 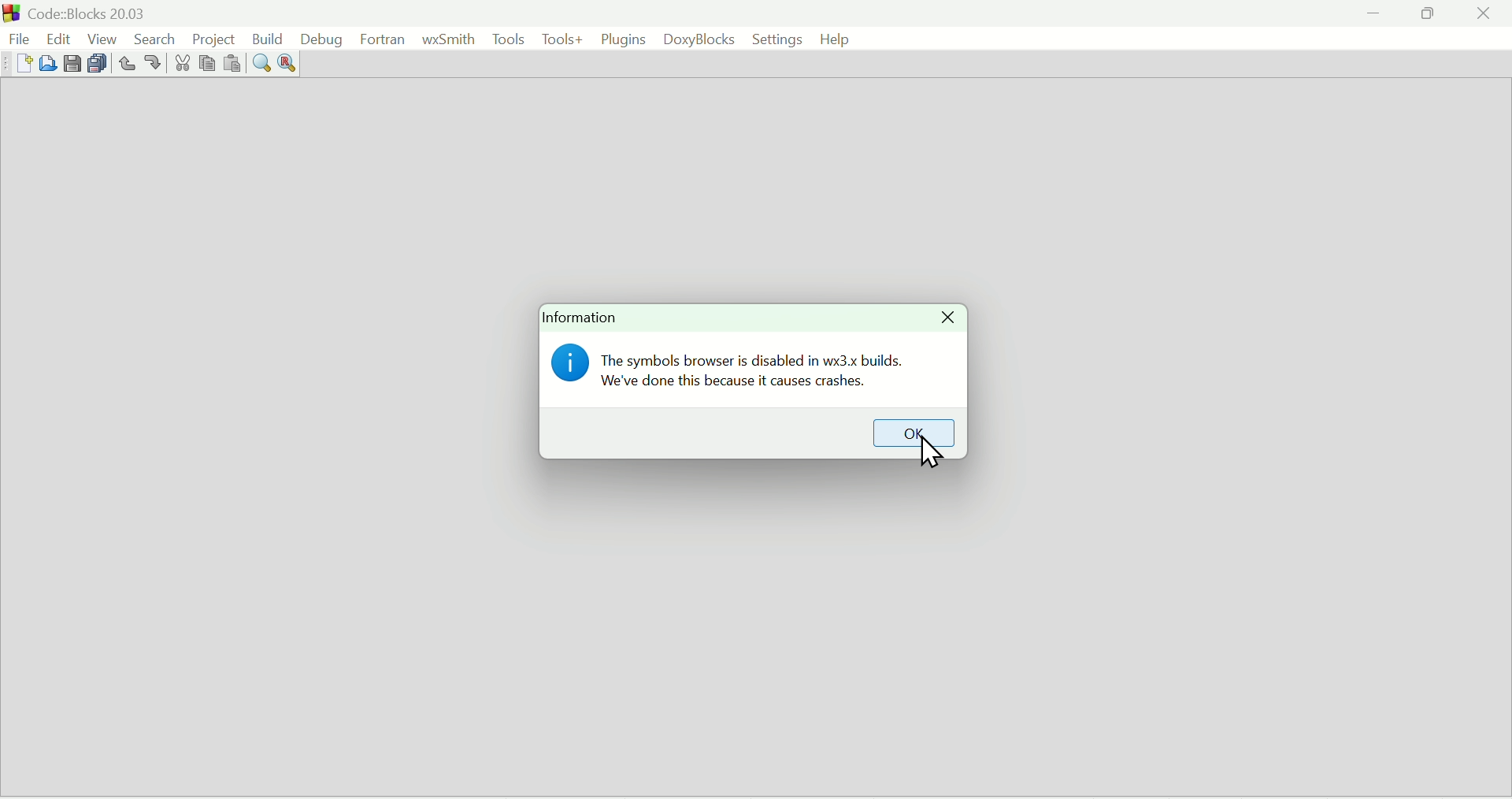 What do you see at coordinates (572, 362) in the screenshot?
I see `Information icon` at bounding box center [572, 362].